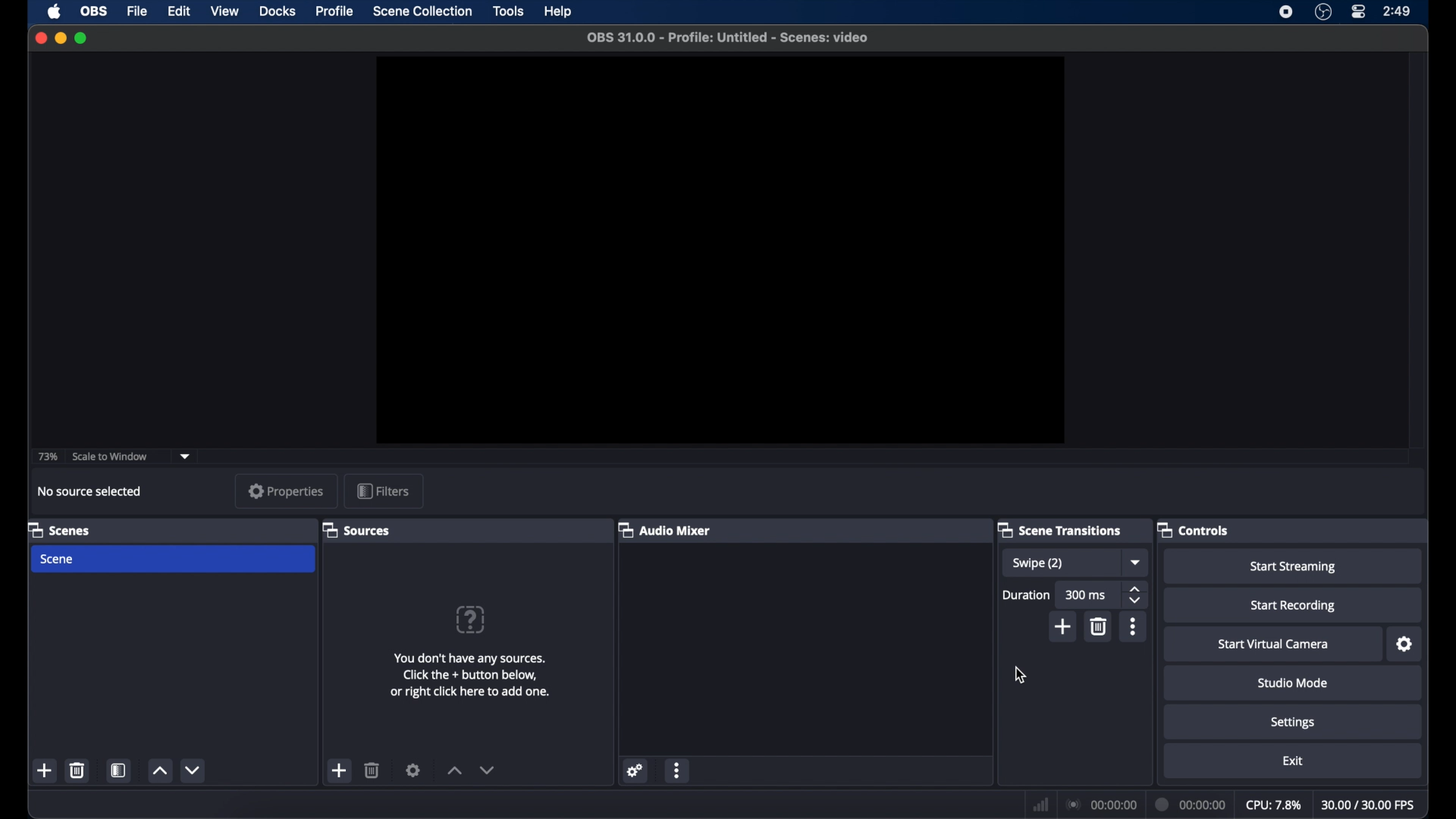  What do you see at coordinates (1293, 682) in the screenshot?
I see `studio mode` at bounding box center [1293, 682].